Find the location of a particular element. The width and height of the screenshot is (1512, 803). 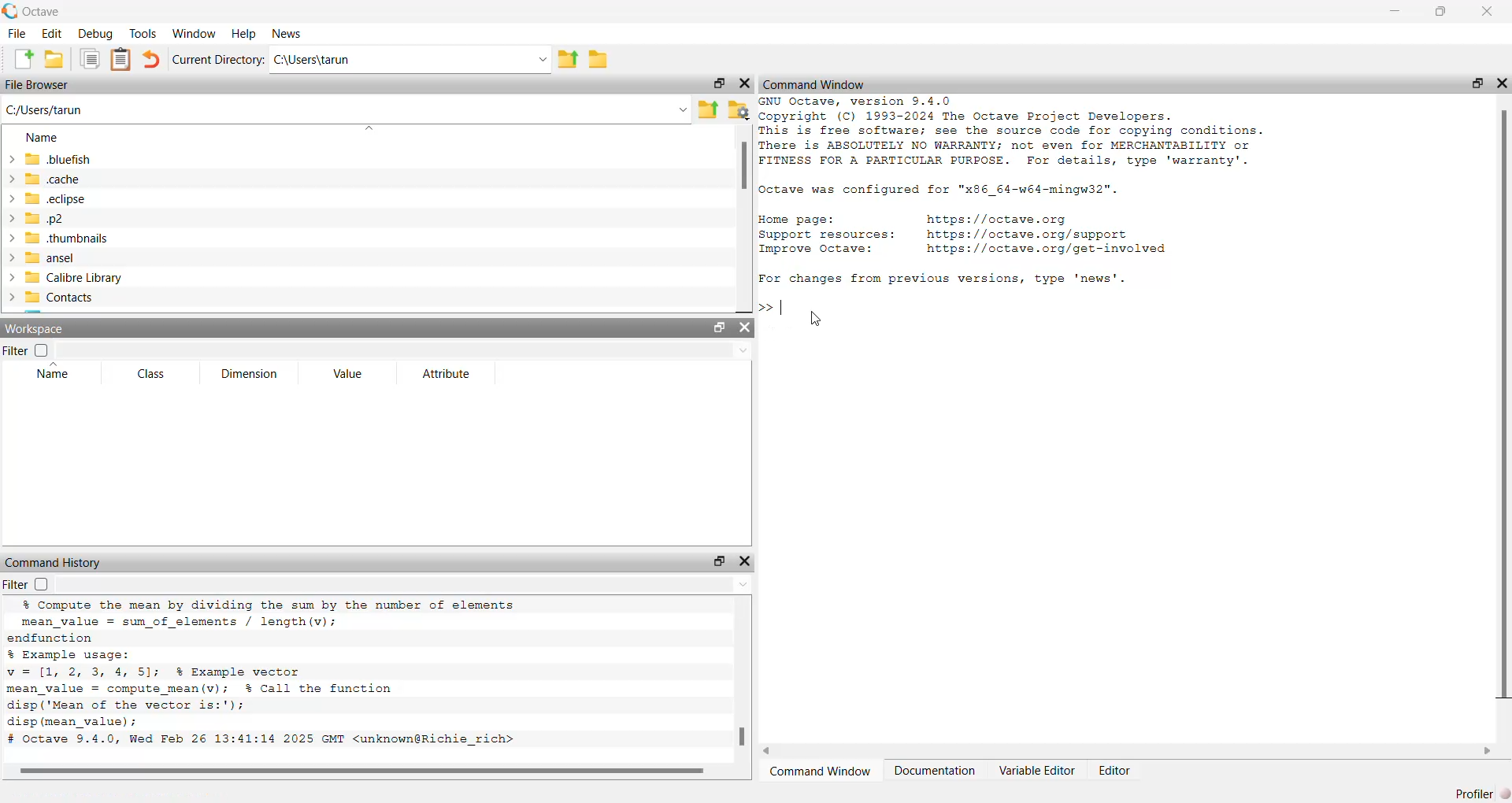

share folder is located at coordinates (567, 59).